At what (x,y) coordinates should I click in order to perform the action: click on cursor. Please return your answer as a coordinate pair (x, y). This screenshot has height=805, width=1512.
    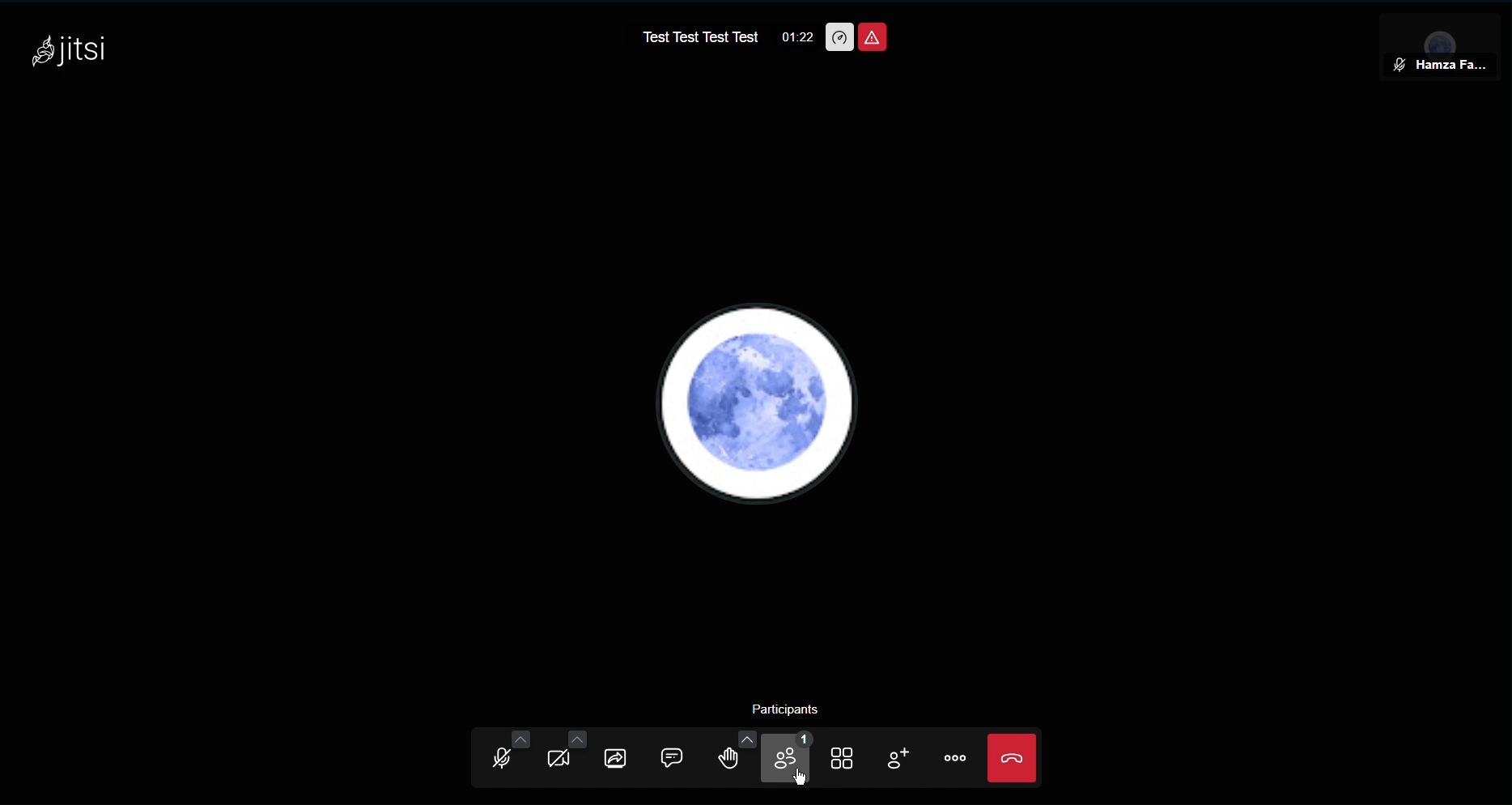
    Looking at the image, I should click on (803, 780).